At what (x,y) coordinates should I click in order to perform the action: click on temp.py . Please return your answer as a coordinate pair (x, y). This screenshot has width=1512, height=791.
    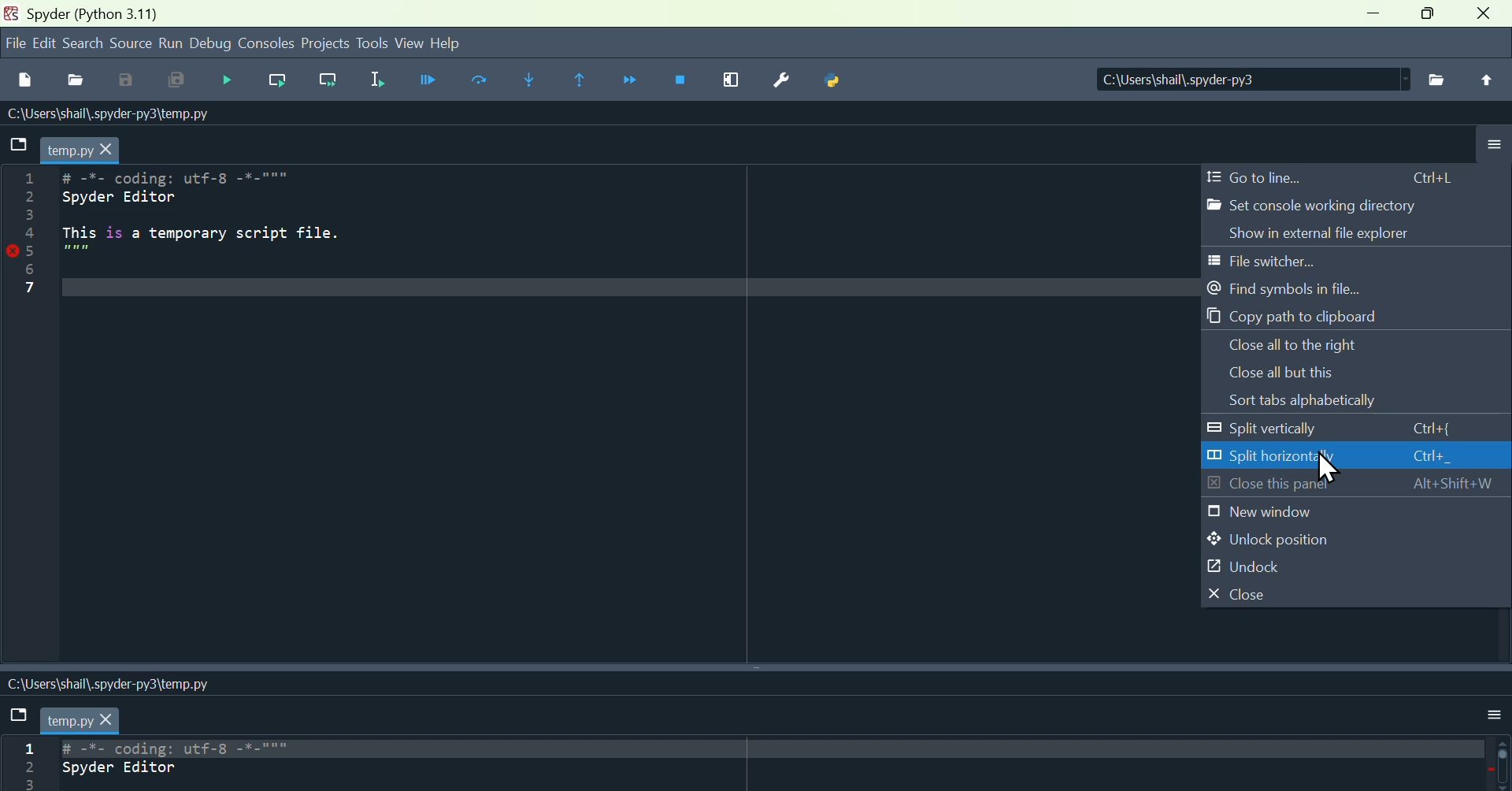
    Looking at the image, I should click on (83, 149).